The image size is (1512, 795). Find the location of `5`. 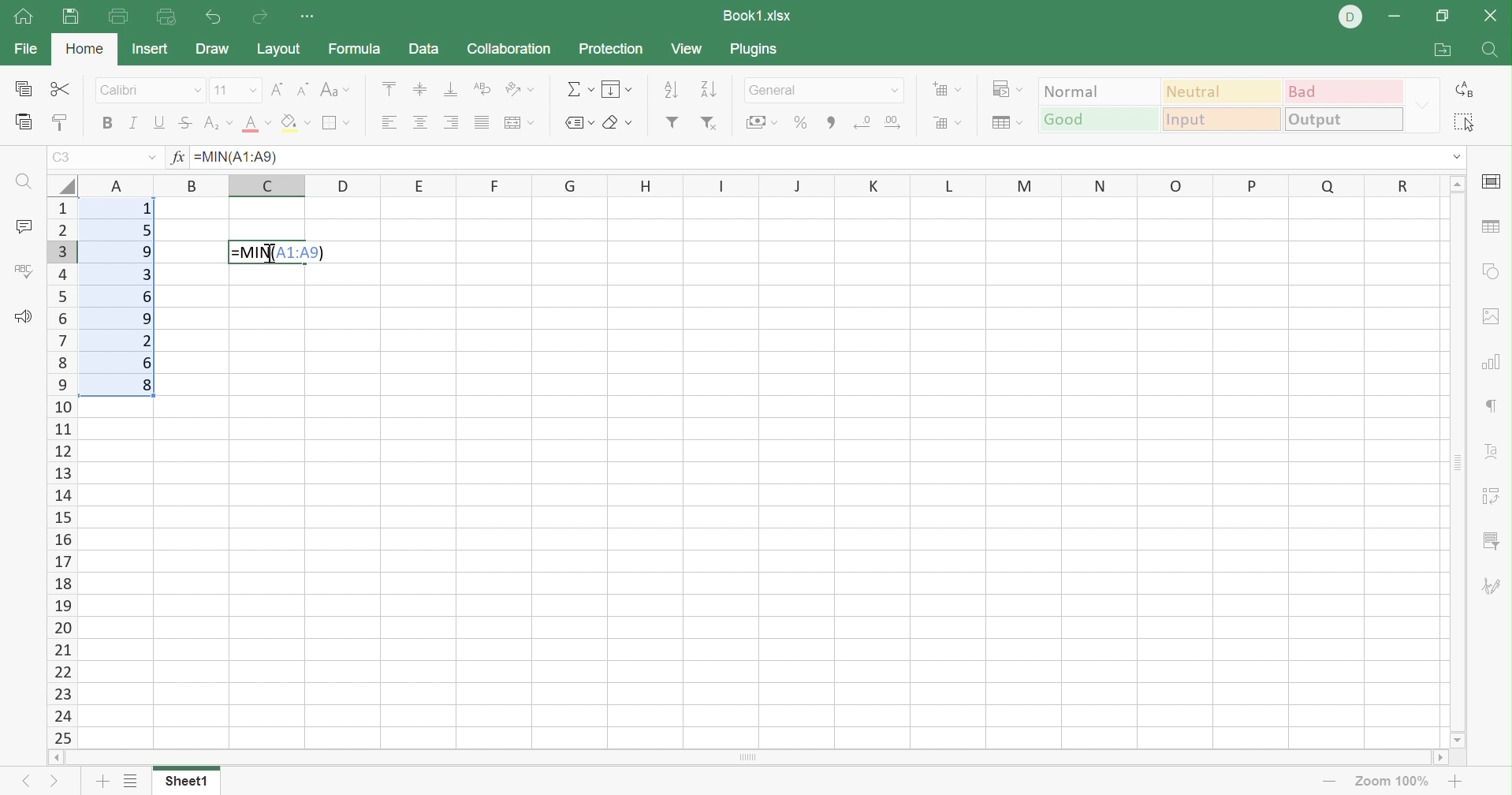

5 is located at coordinates (147, 230).